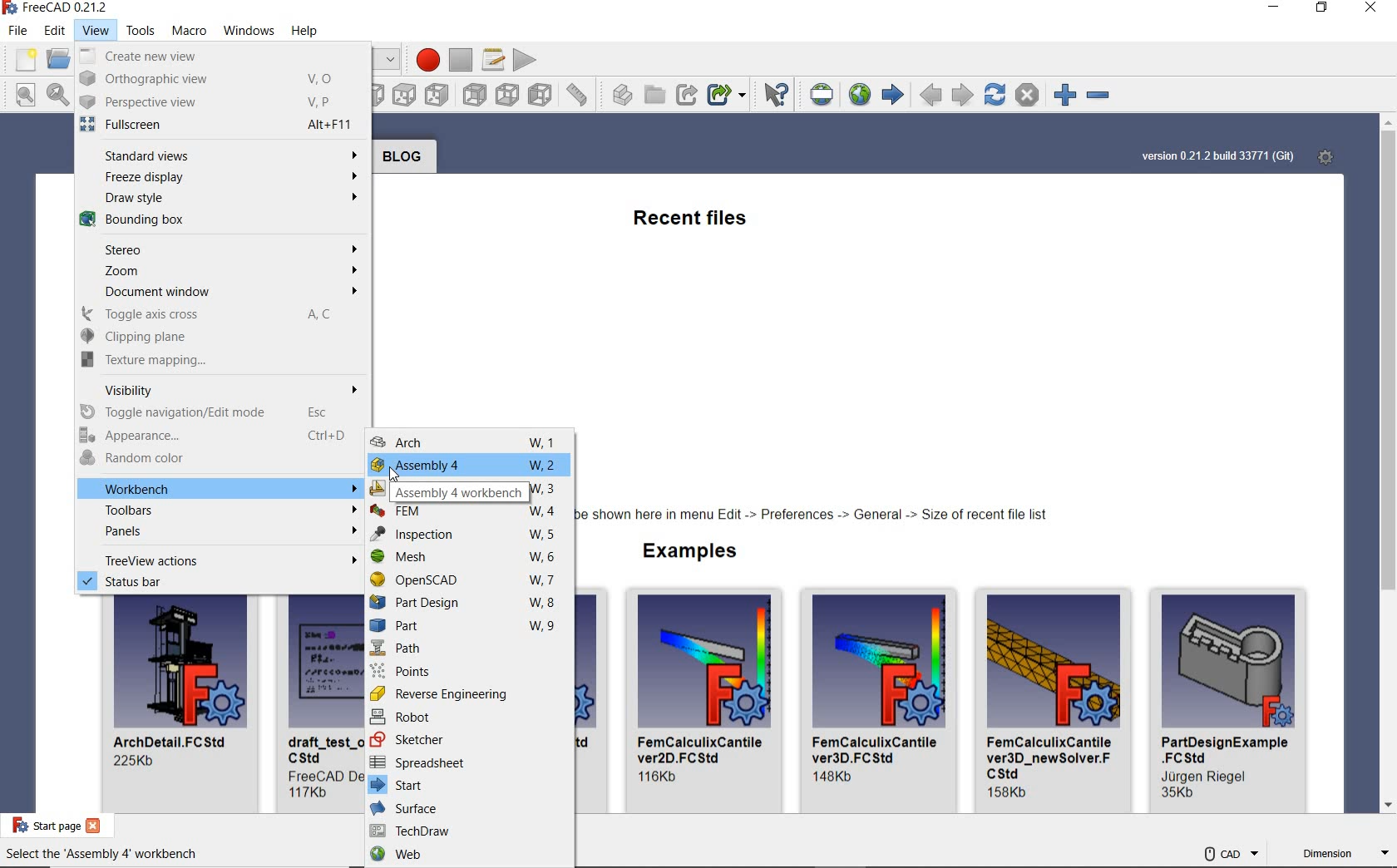 The image size is (1397, 868). I want to click on document window, so click(220, 293).